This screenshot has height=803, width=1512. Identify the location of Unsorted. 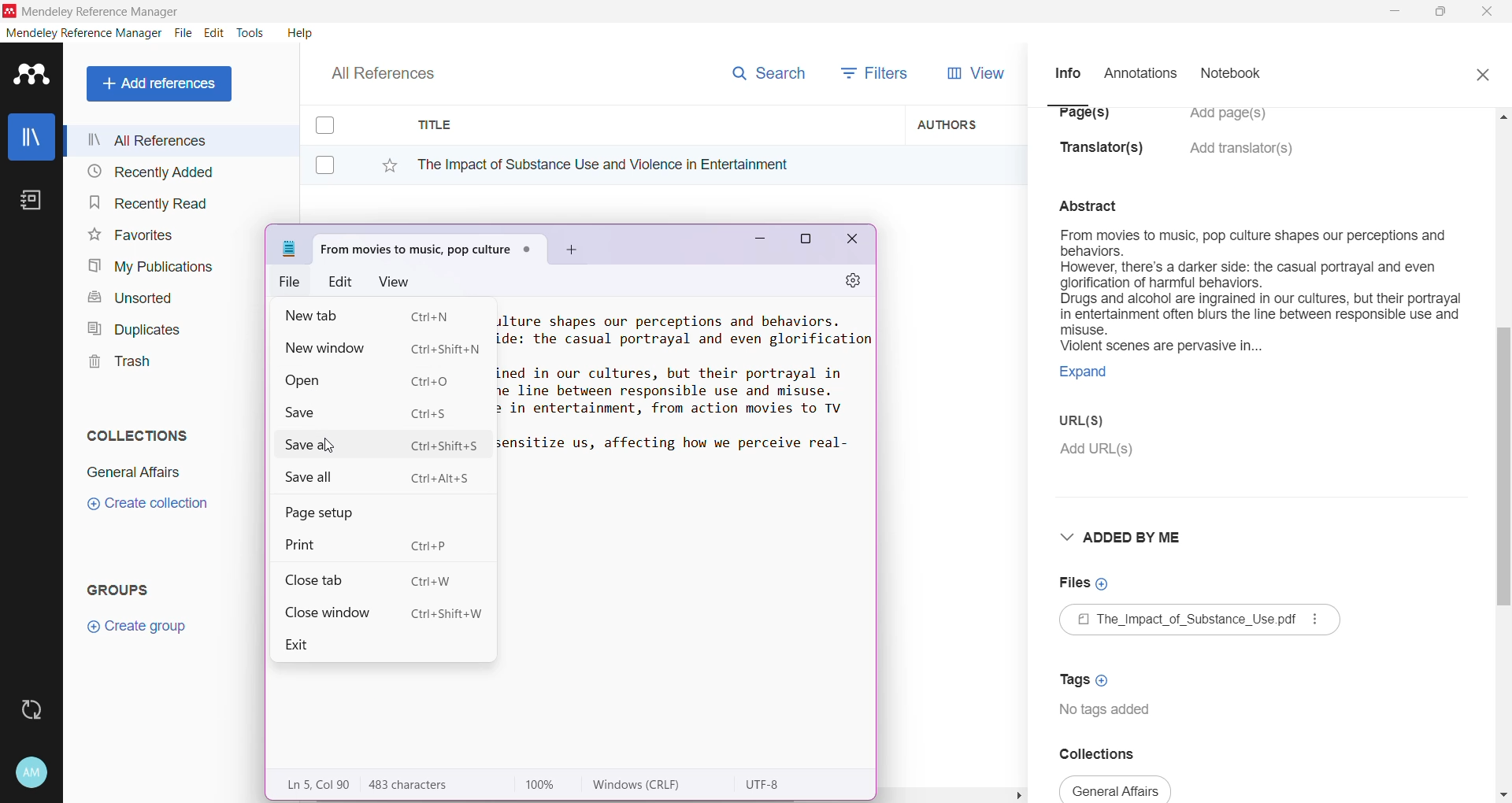
(128, 297).